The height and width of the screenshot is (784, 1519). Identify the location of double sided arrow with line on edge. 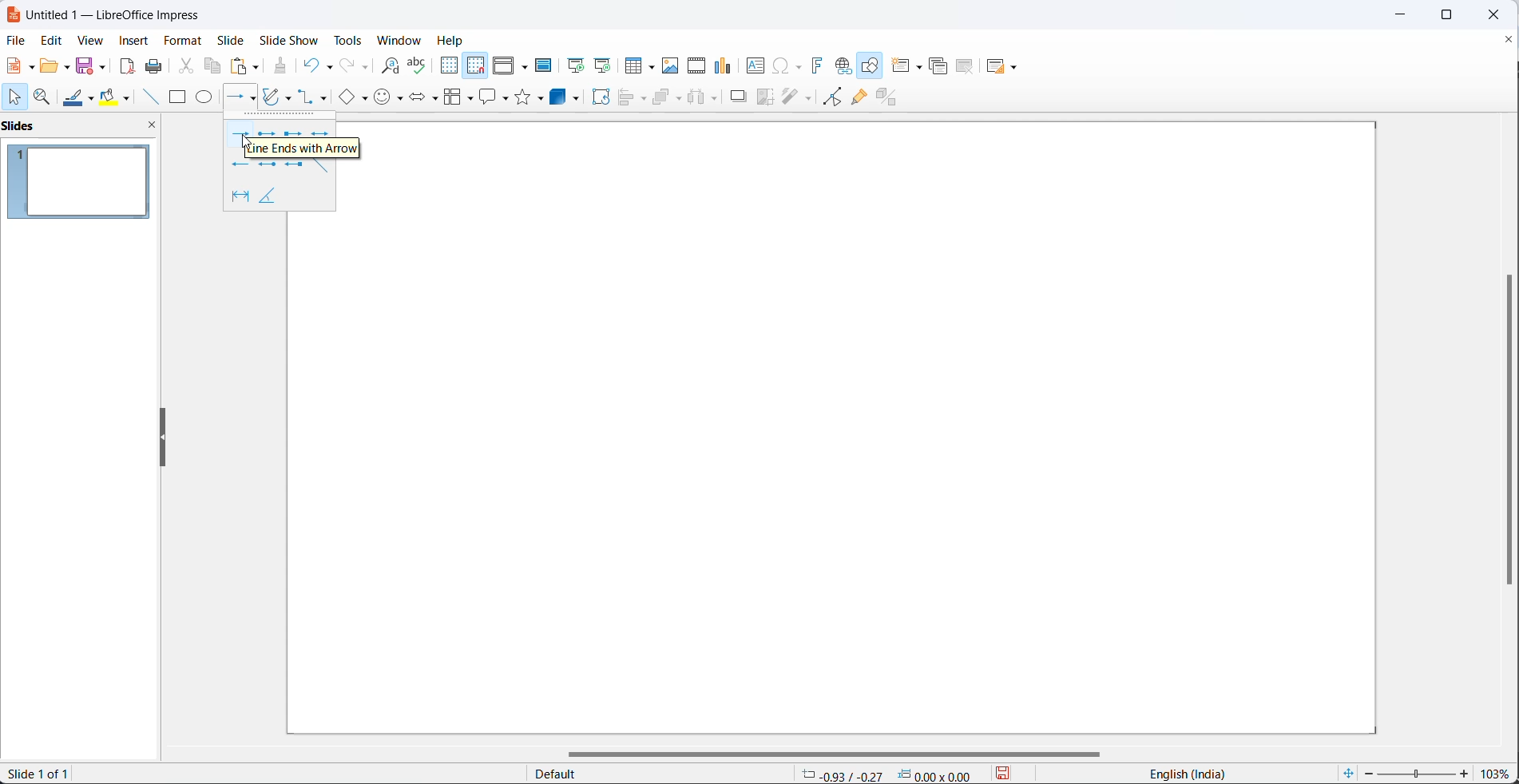
(232, 196).